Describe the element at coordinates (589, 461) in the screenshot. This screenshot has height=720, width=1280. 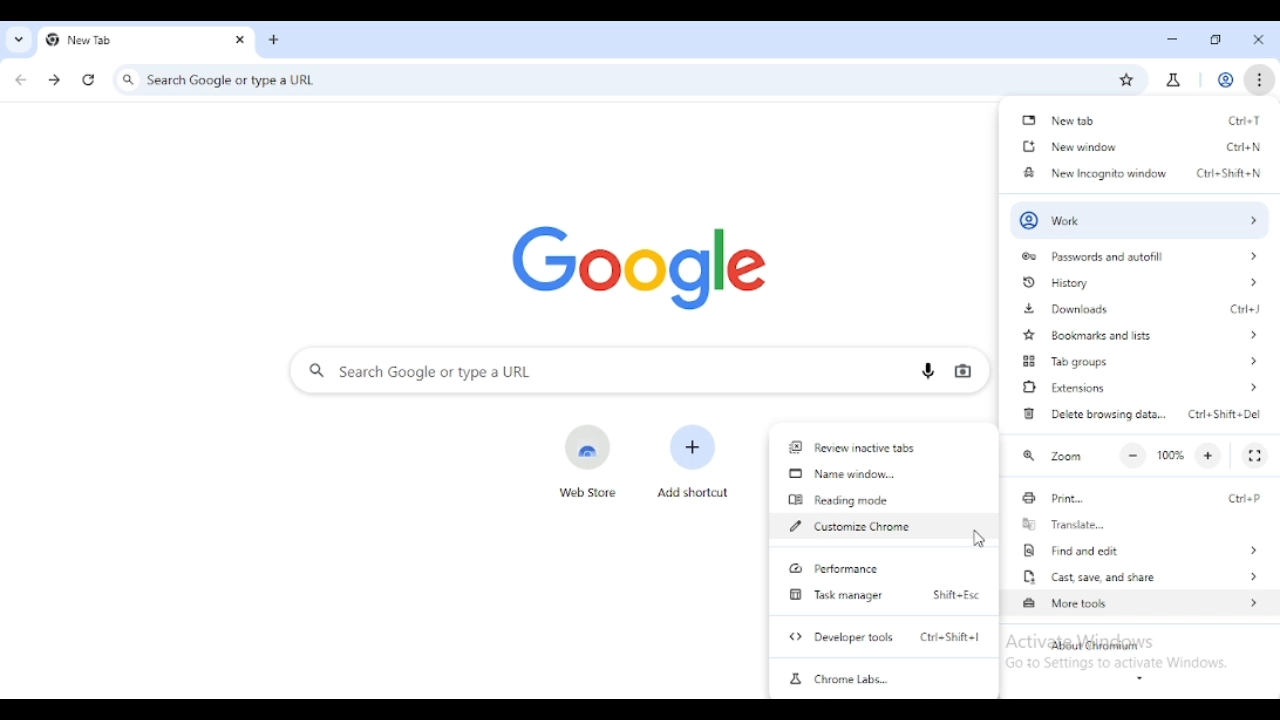
I see `web store` at that location.